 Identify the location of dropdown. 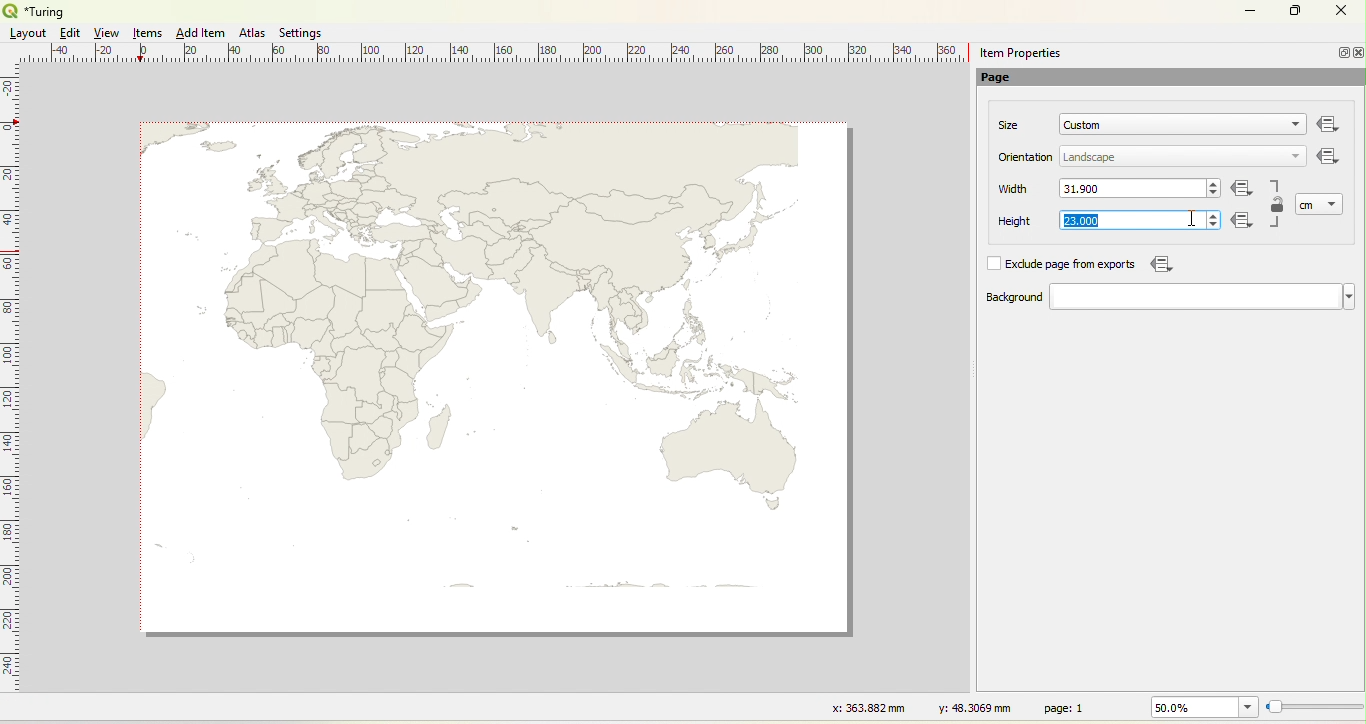
(1291, 126).